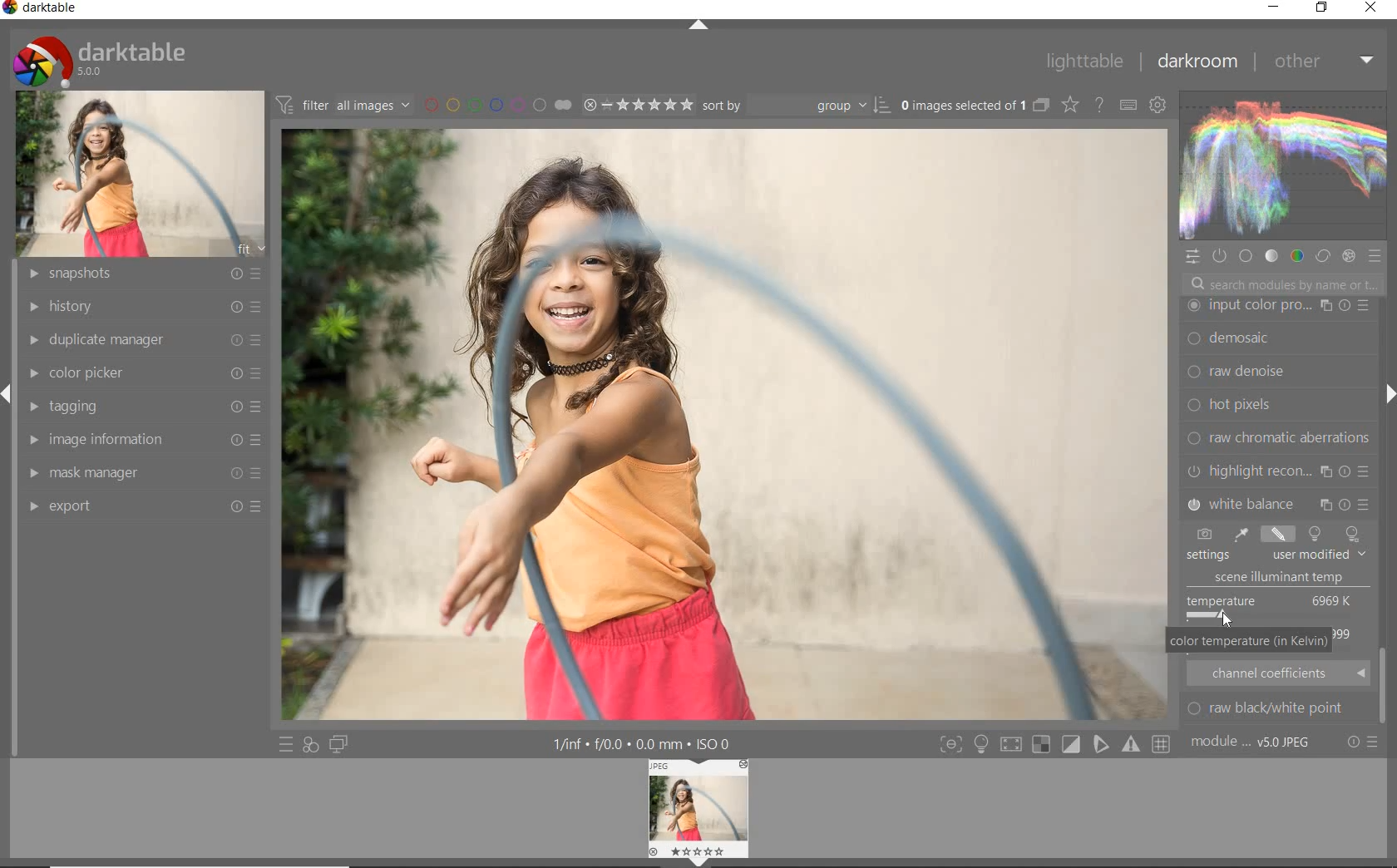  Describe the element at coordinates (342, 744) in the screenshot. I see `display a second darkroom image window` at that location.